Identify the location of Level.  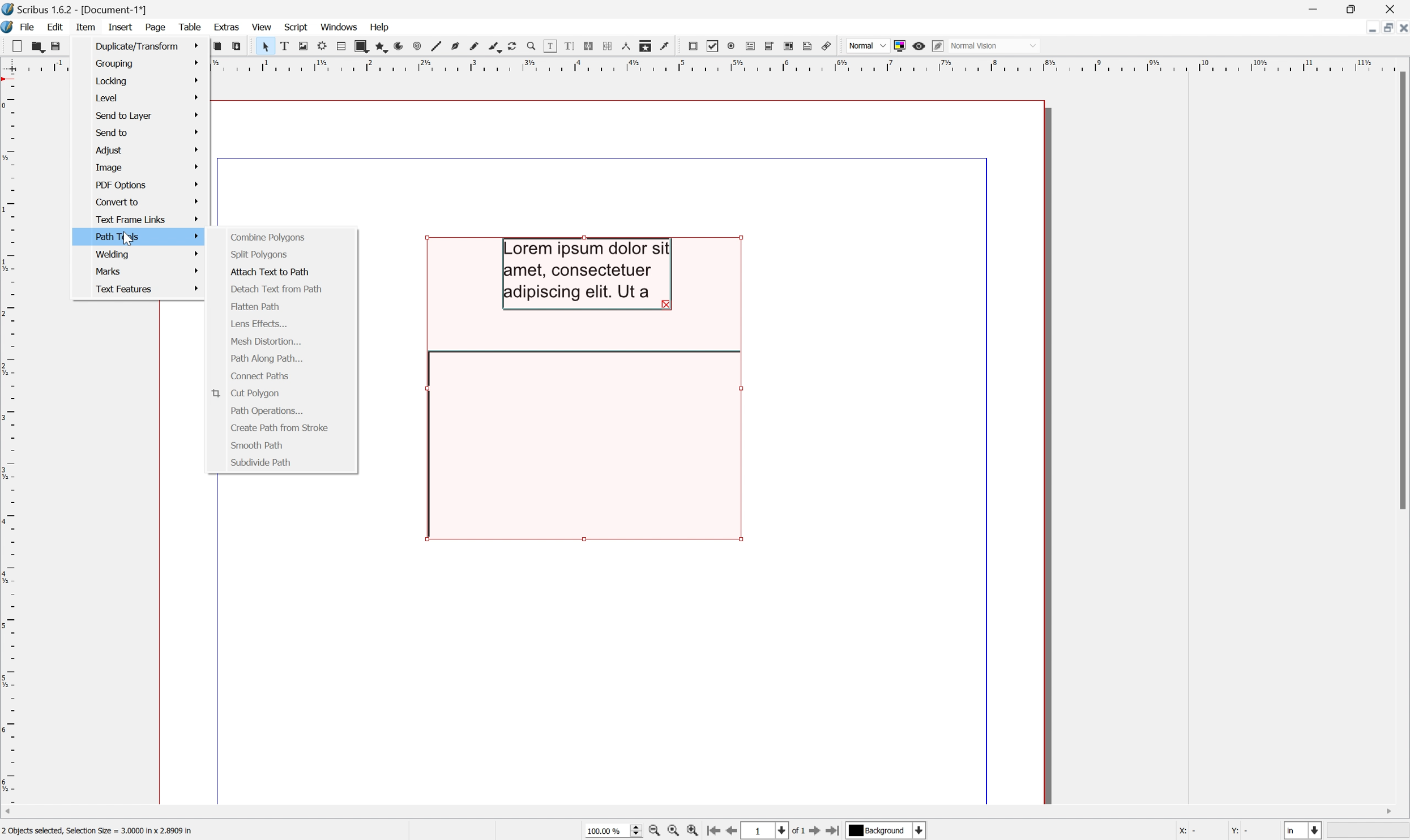
(147, 96).